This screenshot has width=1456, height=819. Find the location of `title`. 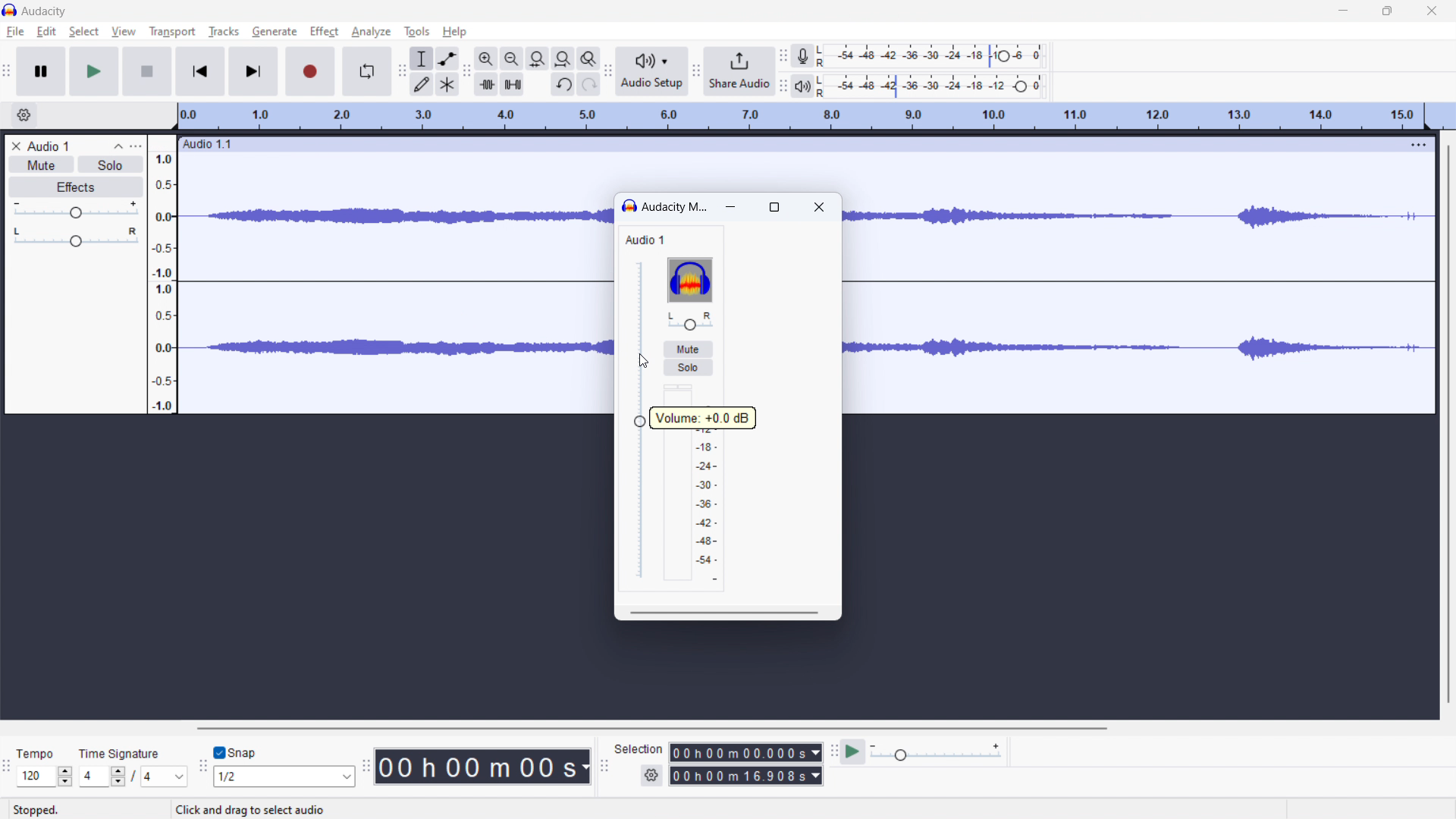

title is located at coordinates (45, 11).